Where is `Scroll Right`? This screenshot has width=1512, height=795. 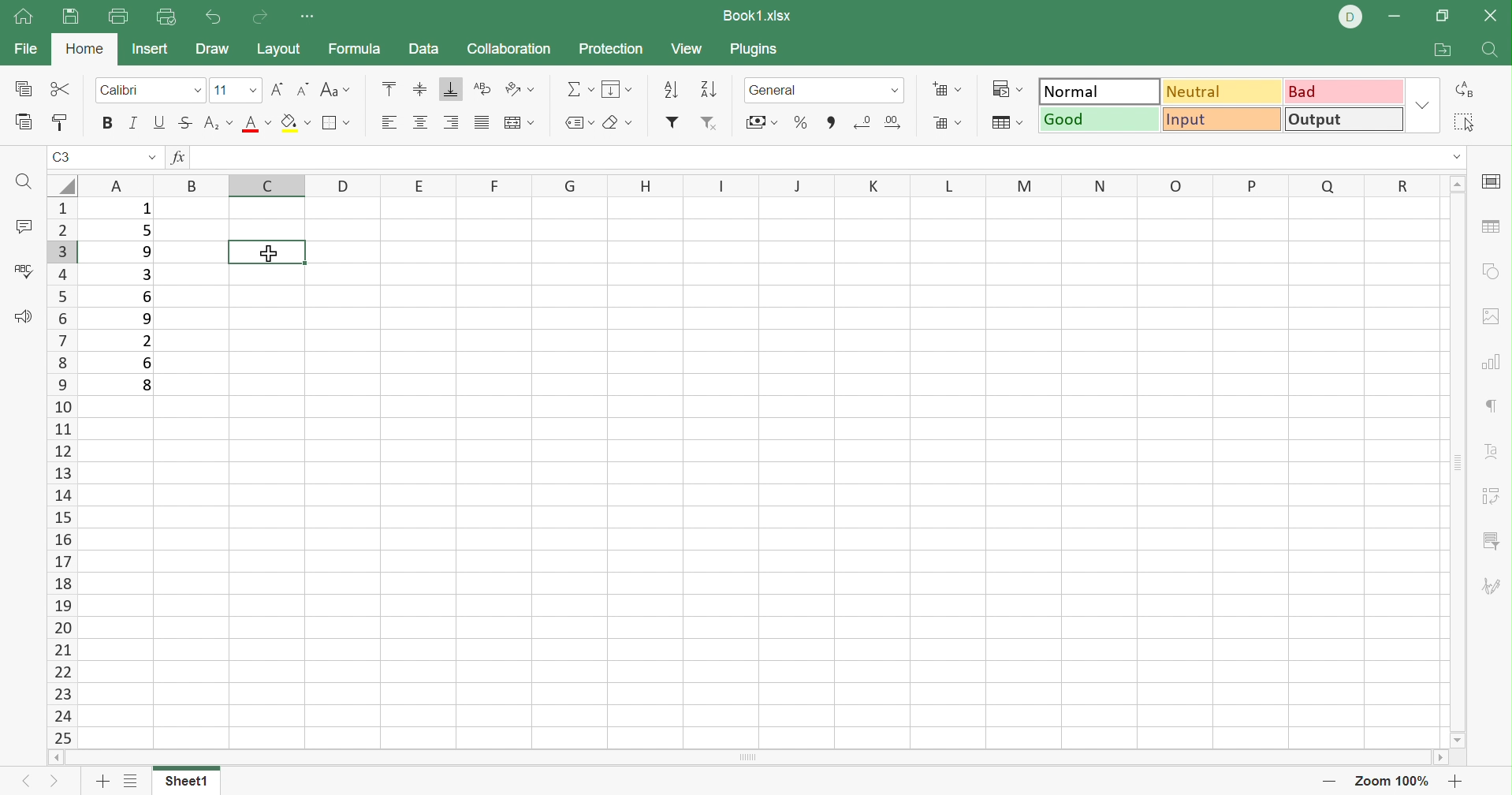
Scroll Right is located at coordinates (1442, 757).